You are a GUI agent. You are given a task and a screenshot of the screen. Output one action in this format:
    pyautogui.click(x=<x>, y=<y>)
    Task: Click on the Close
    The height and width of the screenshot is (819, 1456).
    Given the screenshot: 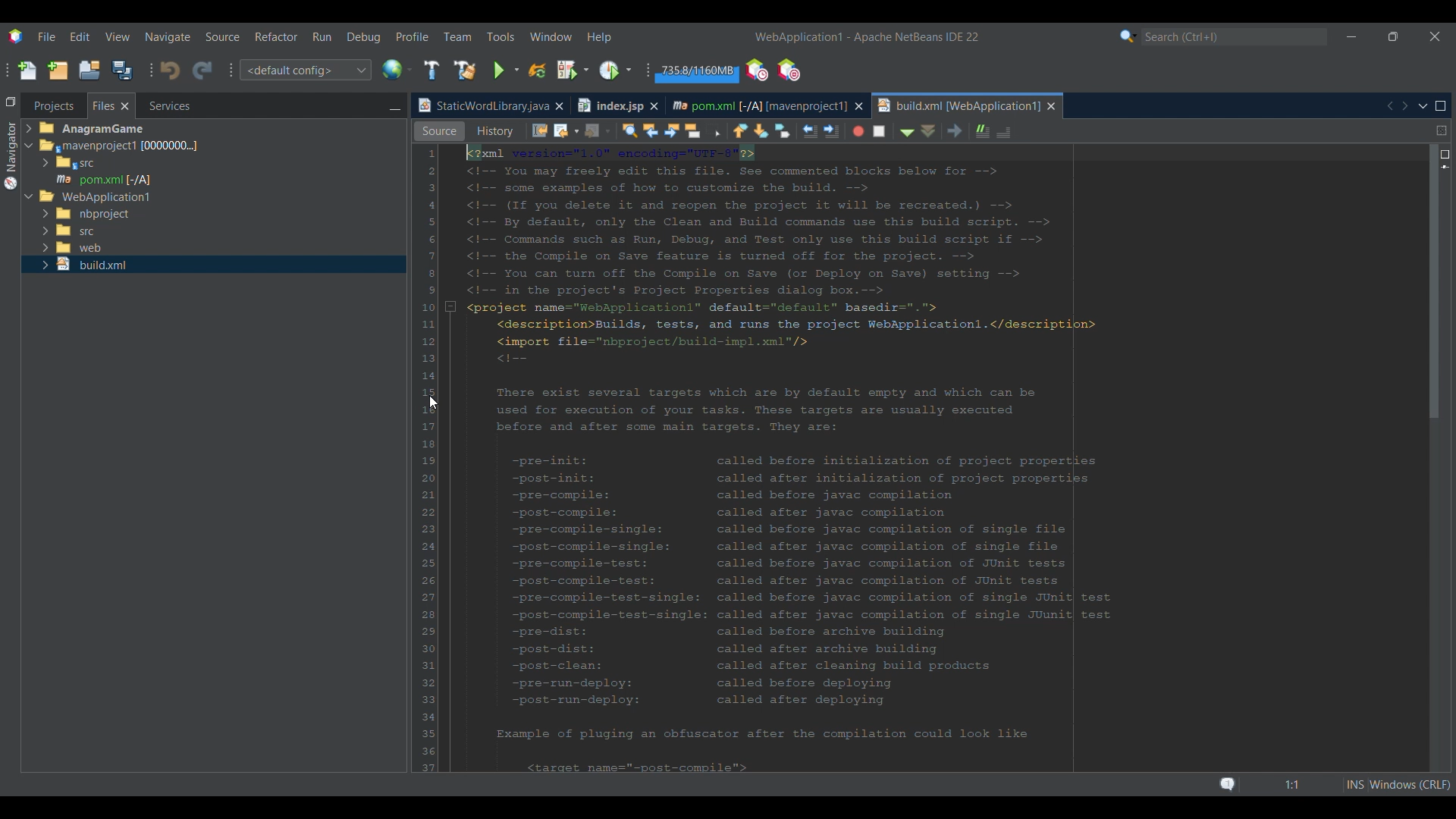 What is the action you would take?
    pyautogui.click(x=1052, y=106)
    